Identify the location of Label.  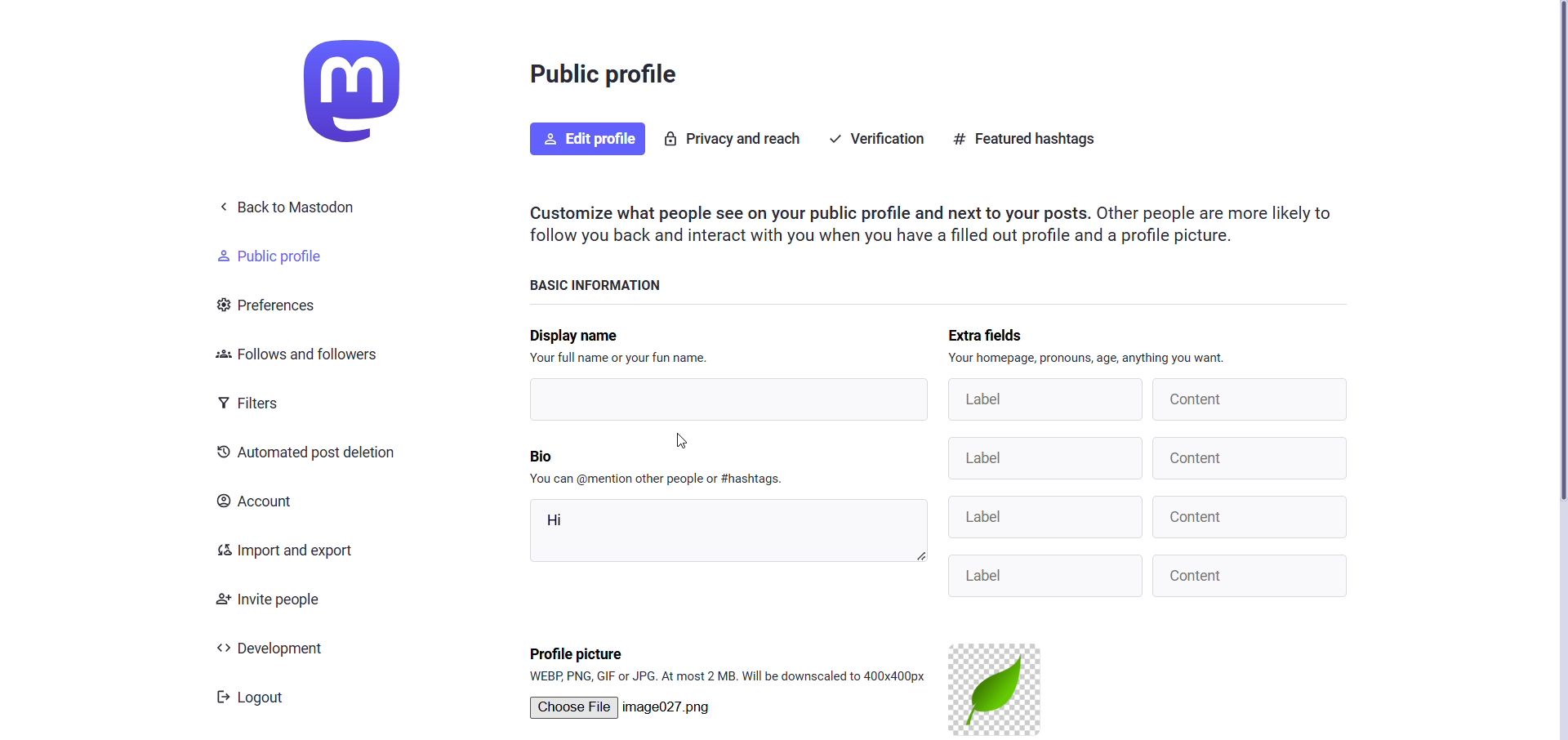
(1045, 516).